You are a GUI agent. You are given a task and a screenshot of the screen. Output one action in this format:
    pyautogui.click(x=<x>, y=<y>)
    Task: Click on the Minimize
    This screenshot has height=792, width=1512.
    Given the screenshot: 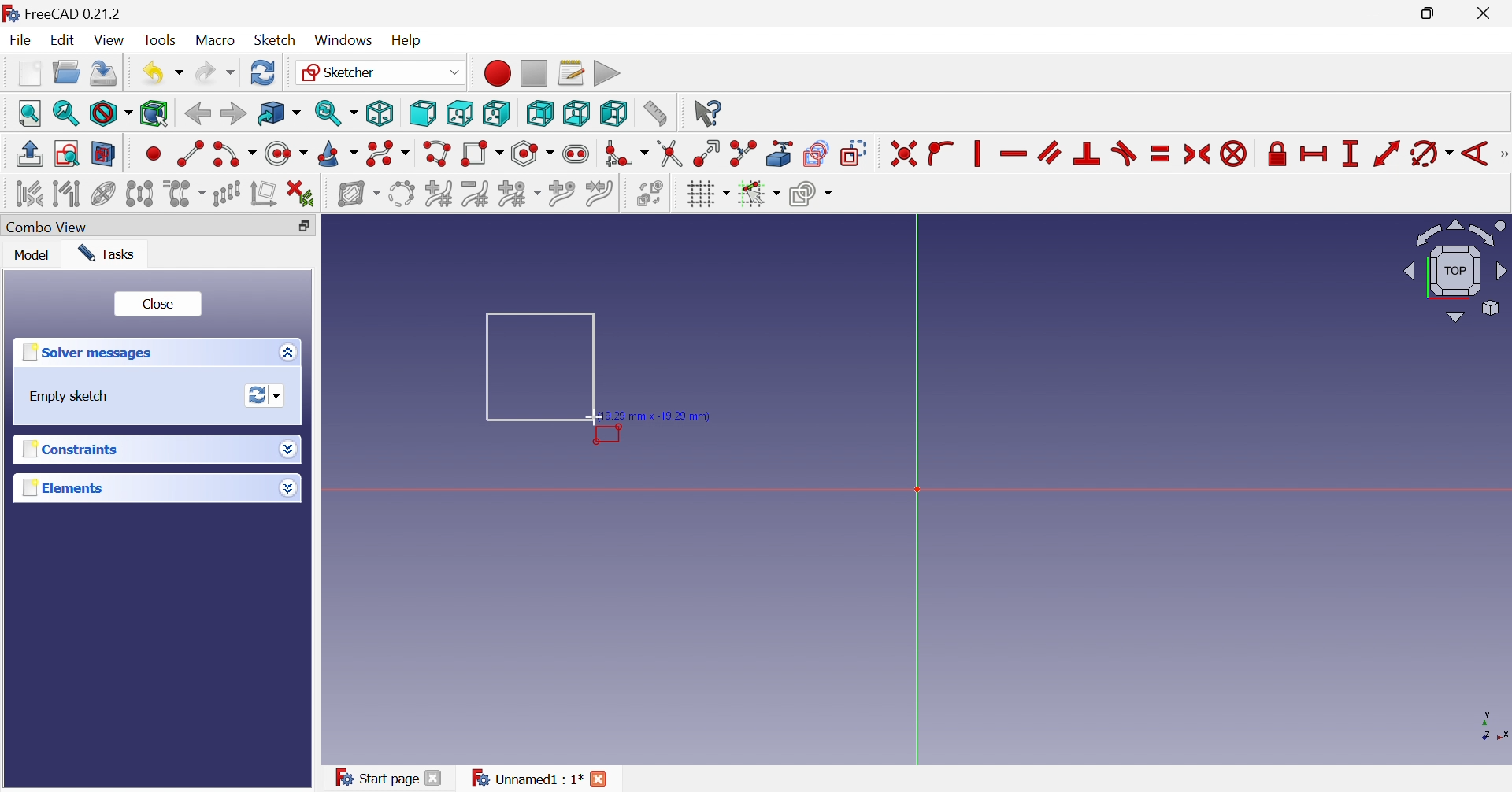 What is the action you would take?
    pyautogui.click(x=1377, y=14)
    